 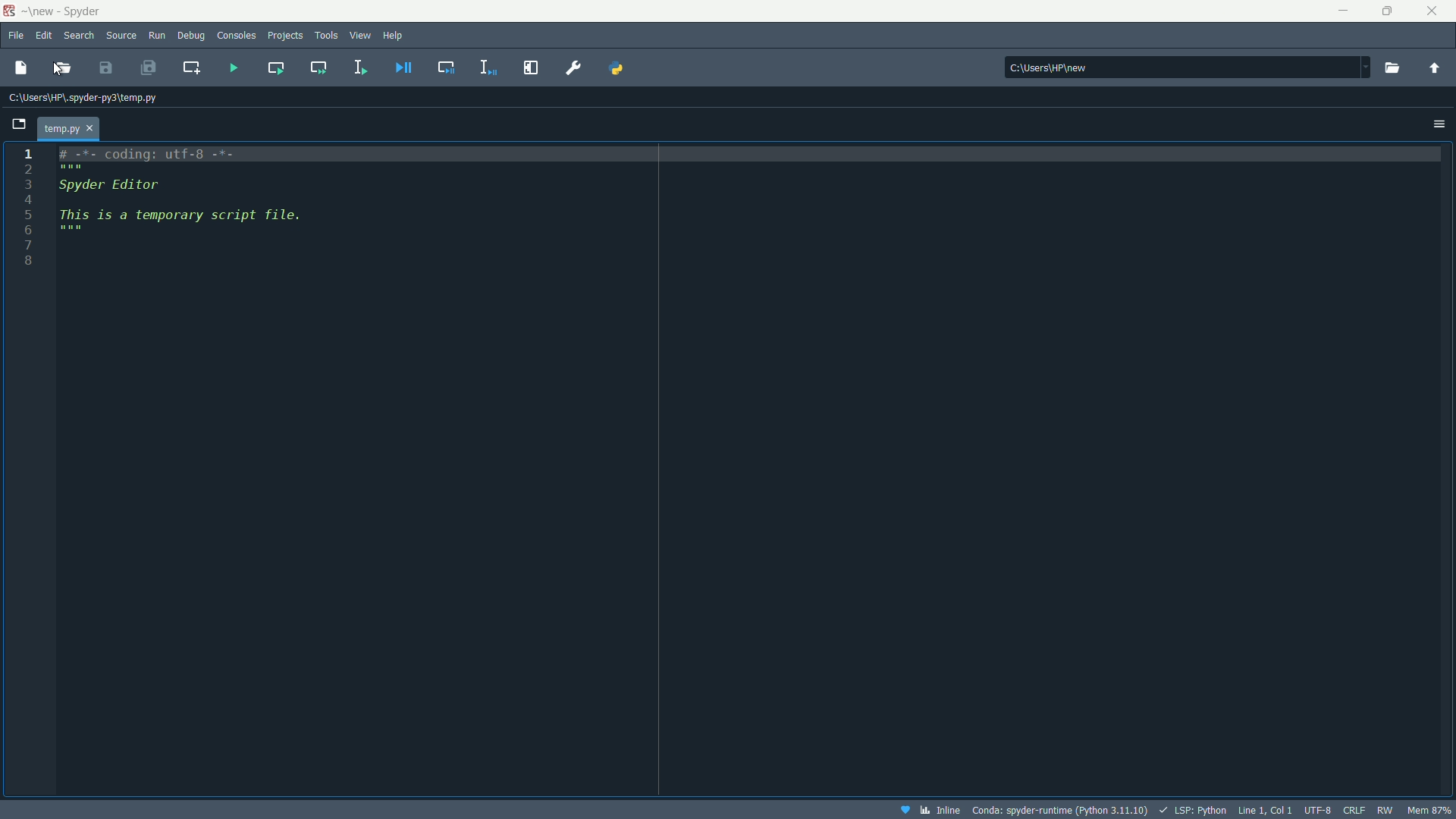 What do you see at coordinates (155, 37) in the screenshot?
I see `Run menu` at bounding box center [155, 37].